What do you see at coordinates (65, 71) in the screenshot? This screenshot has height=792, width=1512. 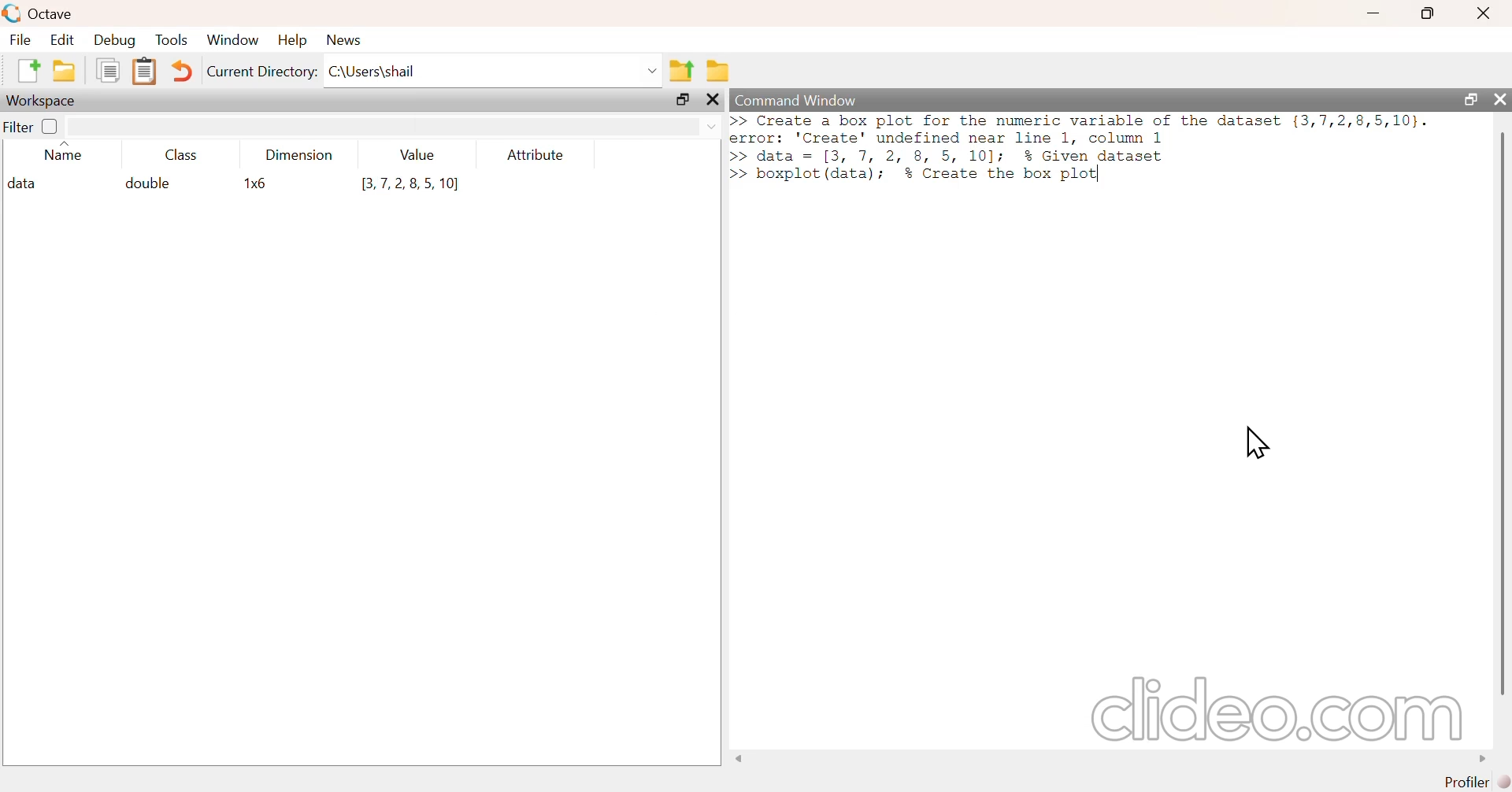 I see `open an existing file in editor` at bounding box center [65, 71].